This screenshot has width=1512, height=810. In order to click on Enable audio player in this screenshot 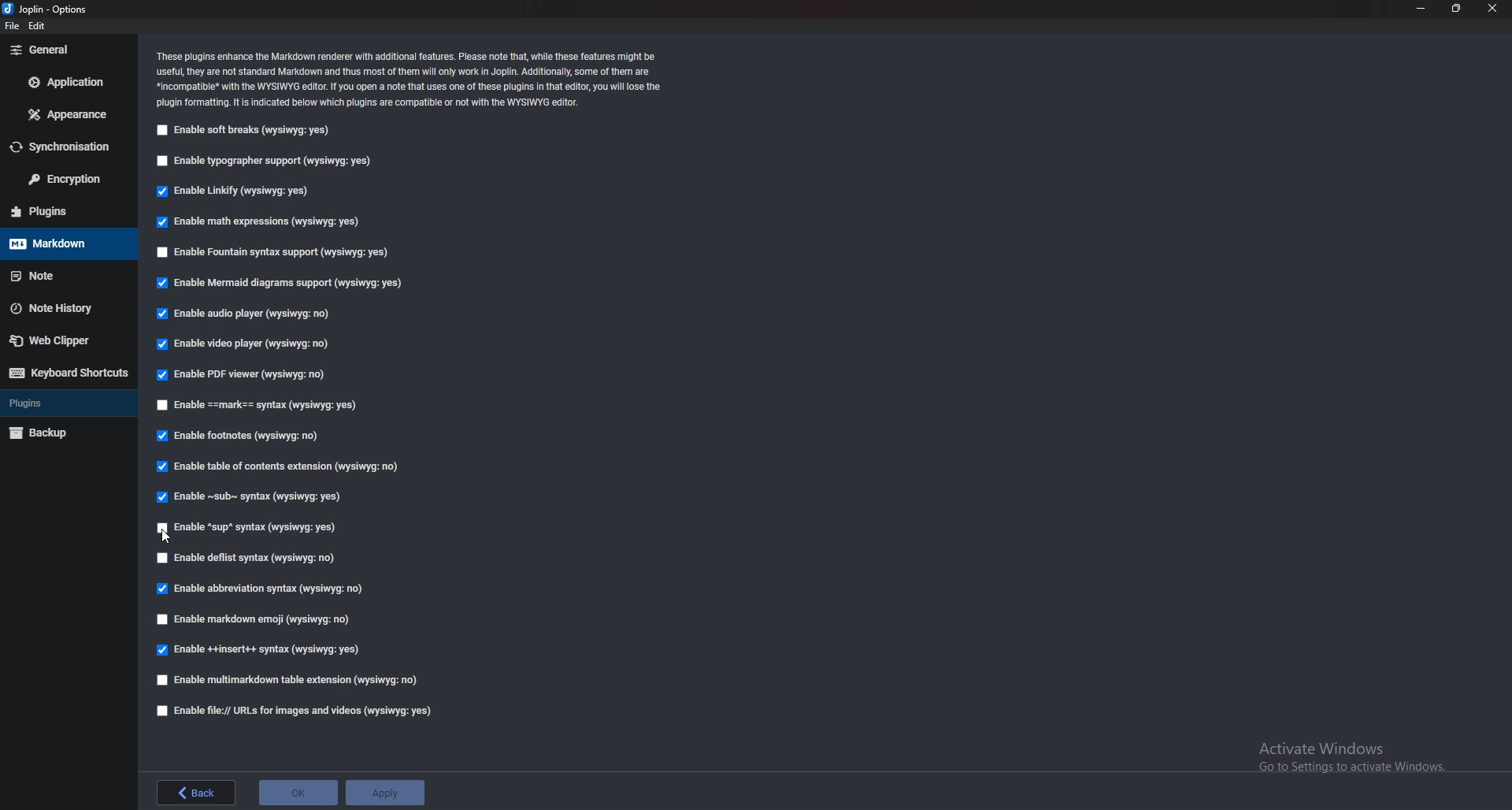, I will do `click(256, 313)`.